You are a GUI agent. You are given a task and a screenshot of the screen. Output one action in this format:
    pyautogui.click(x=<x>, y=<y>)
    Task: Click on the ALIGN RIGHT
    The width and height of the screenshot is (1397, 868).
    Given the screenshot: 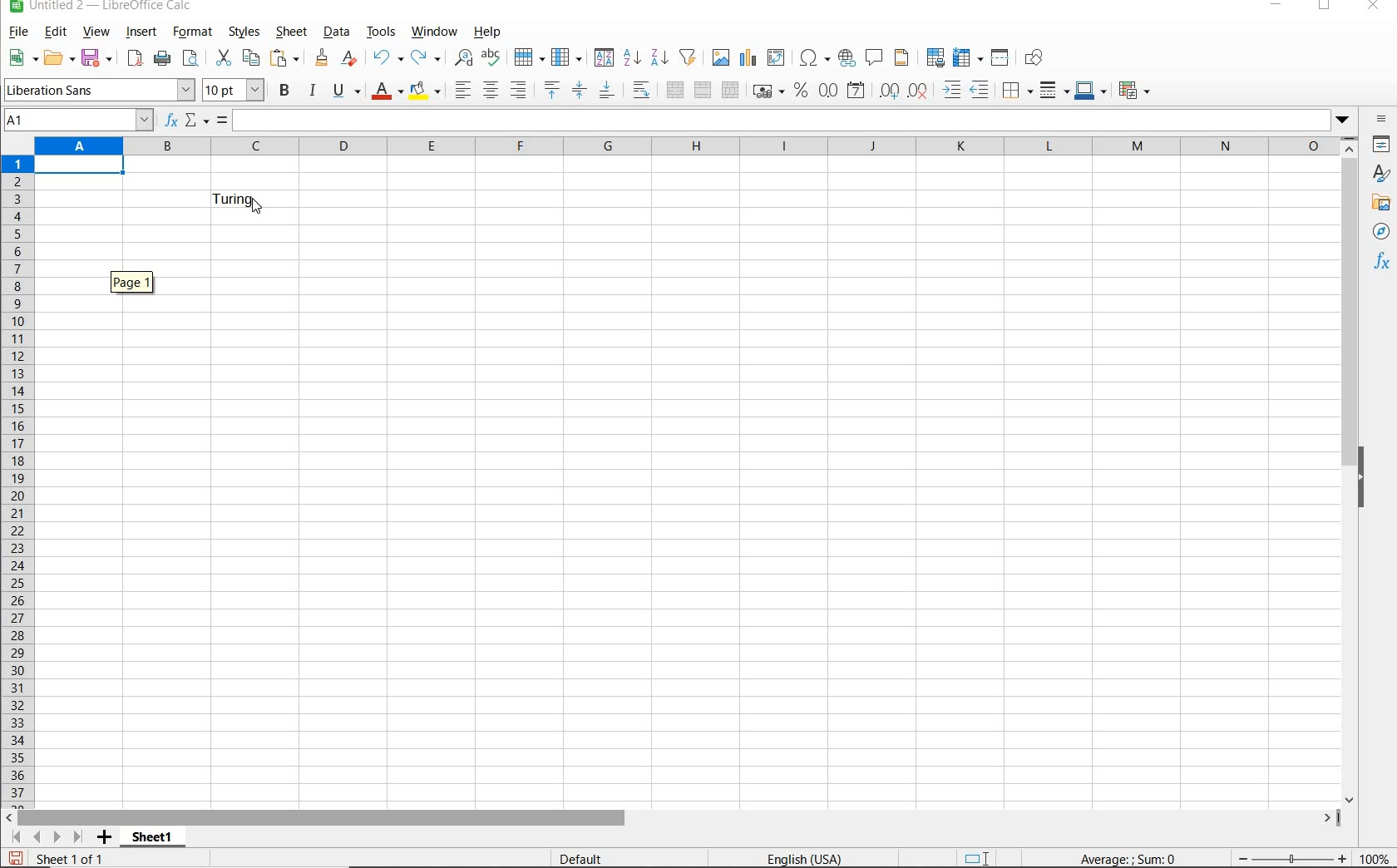 What is the action you would take?
    pyautogui.click(x=519, y=91)
    